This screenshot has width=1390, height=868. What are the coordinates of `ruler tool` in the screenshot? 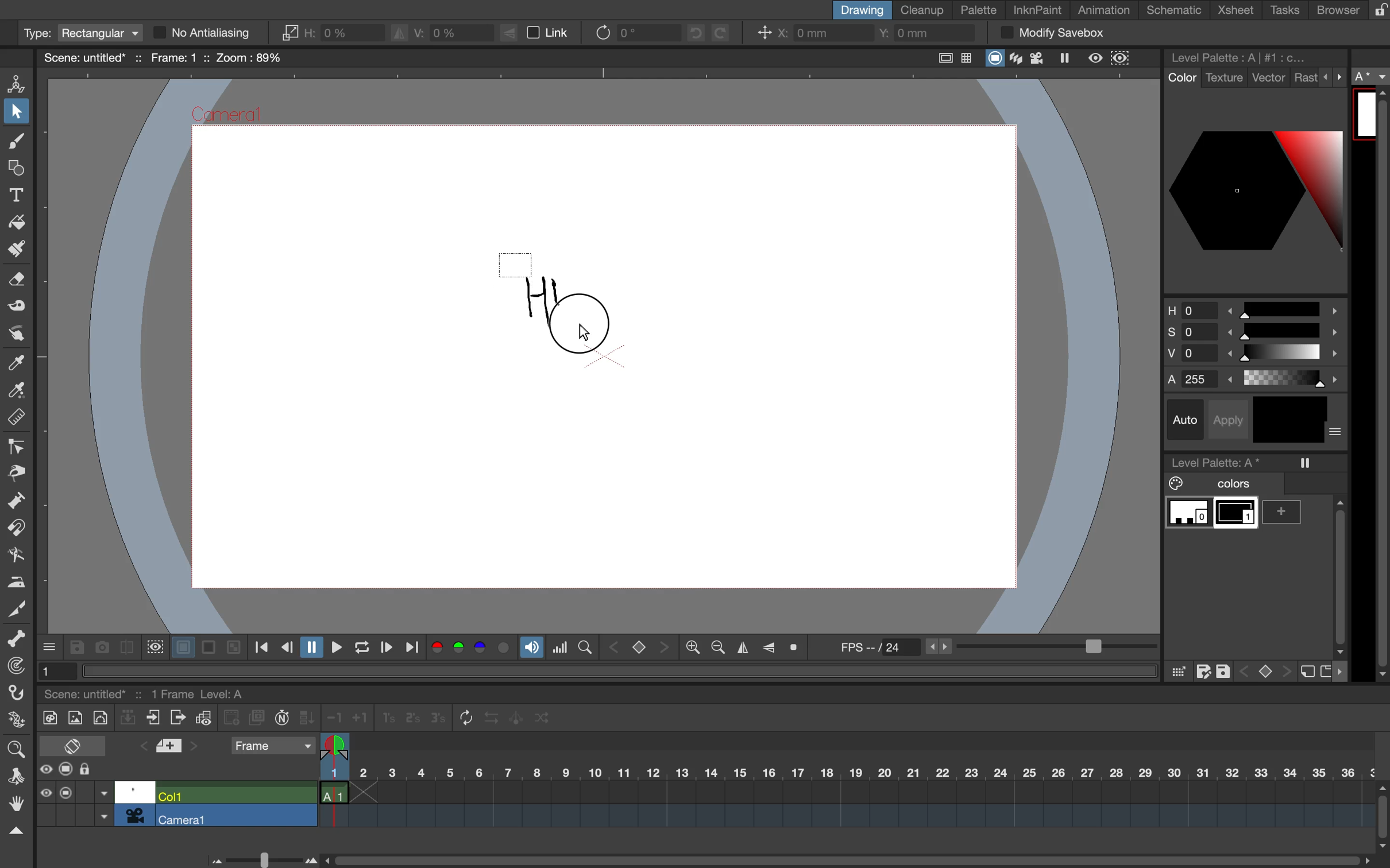 It's located at (17, 419).